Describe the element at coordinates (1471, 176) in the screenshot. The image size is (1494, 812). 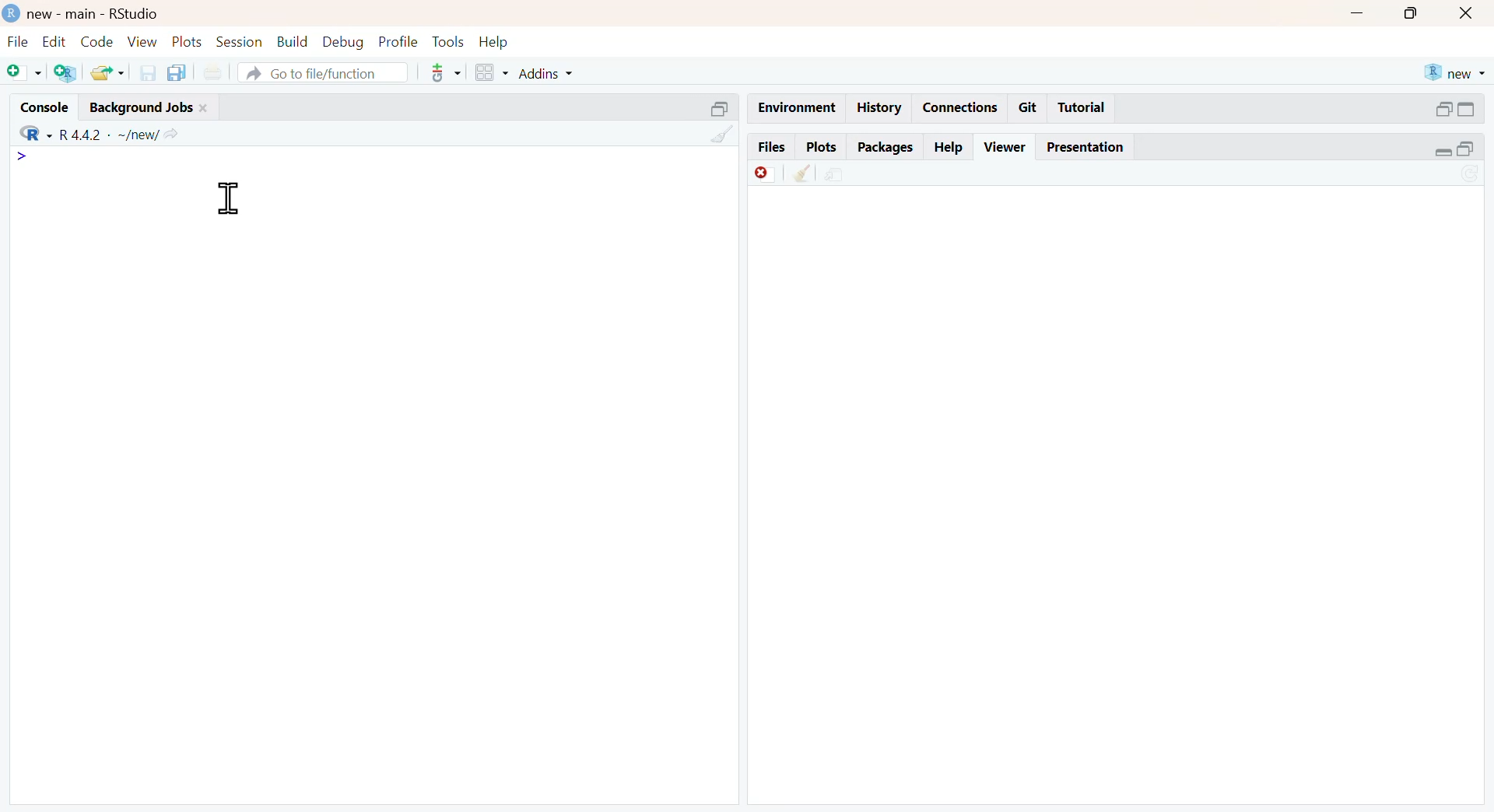
I see `sync` at that location.